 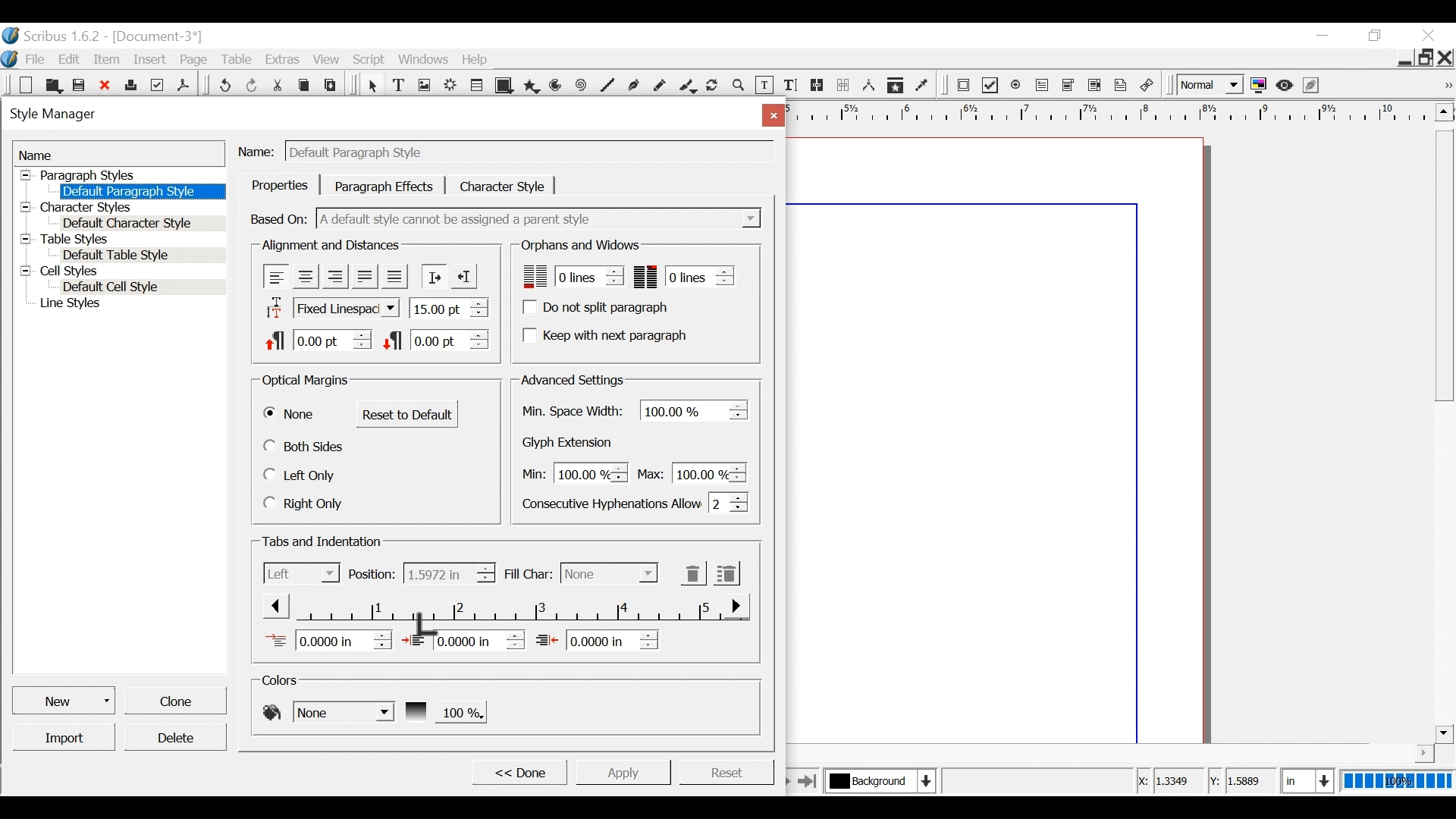 I want to click on Preview mode, so click(x=1286, y=85).